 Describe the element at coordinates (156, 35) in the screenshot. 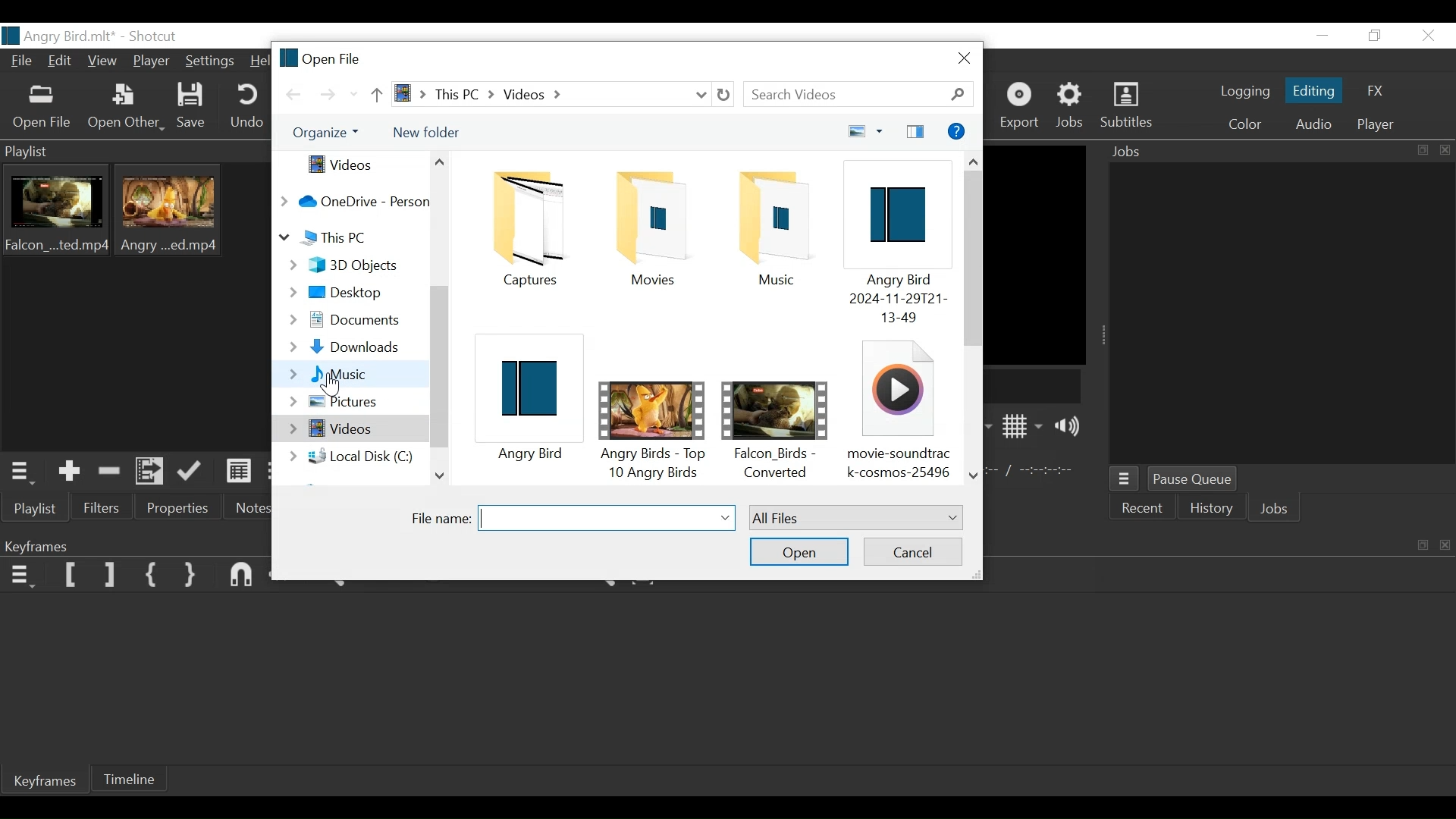

I see `Shotcut` at that location.